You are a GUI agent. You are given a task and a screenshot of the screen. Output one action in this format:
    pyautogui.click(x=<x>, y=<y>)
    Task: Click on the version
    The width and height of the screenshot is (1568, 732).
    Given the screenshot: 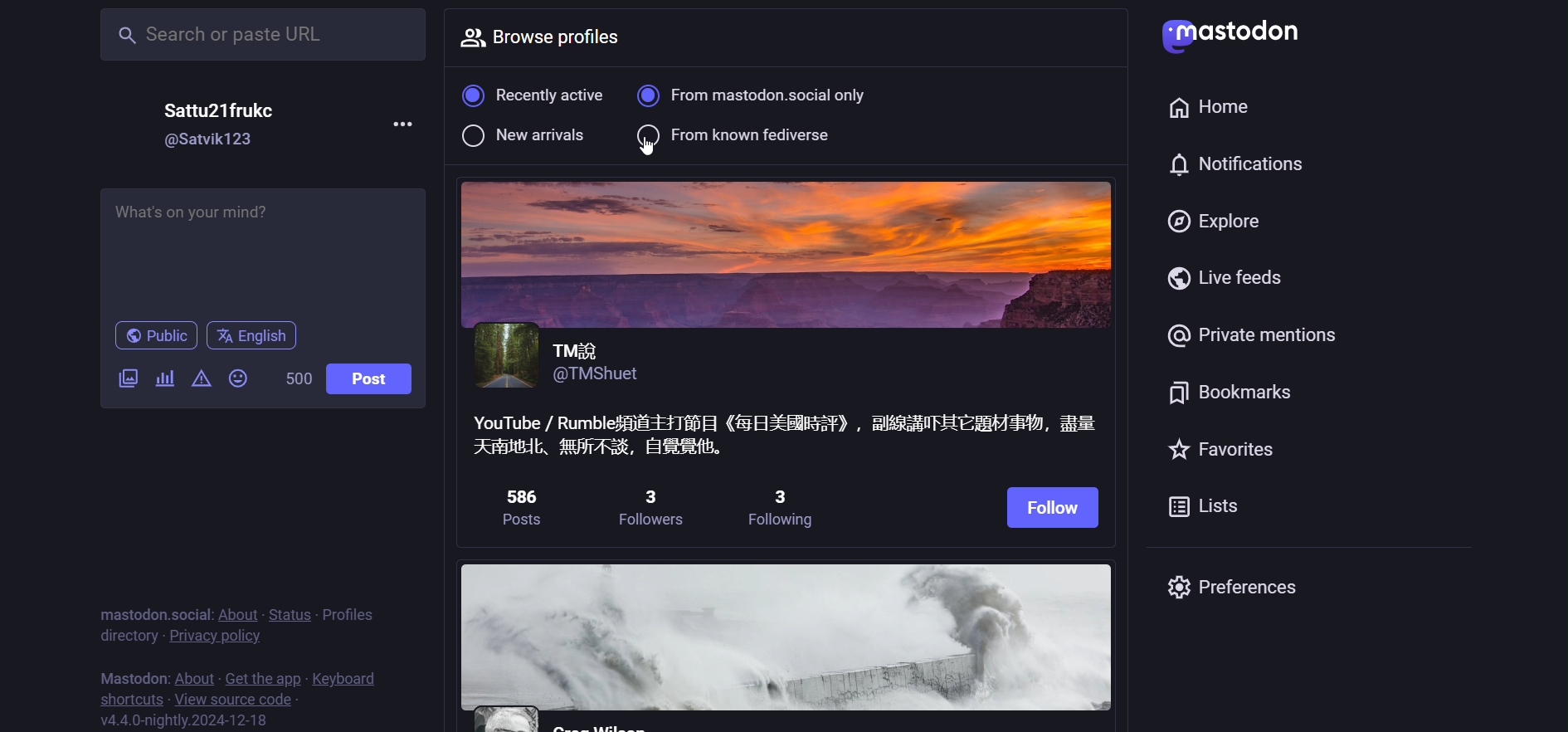 What is the action you would take?
    pyautogui.click(x=185, y=720)
    